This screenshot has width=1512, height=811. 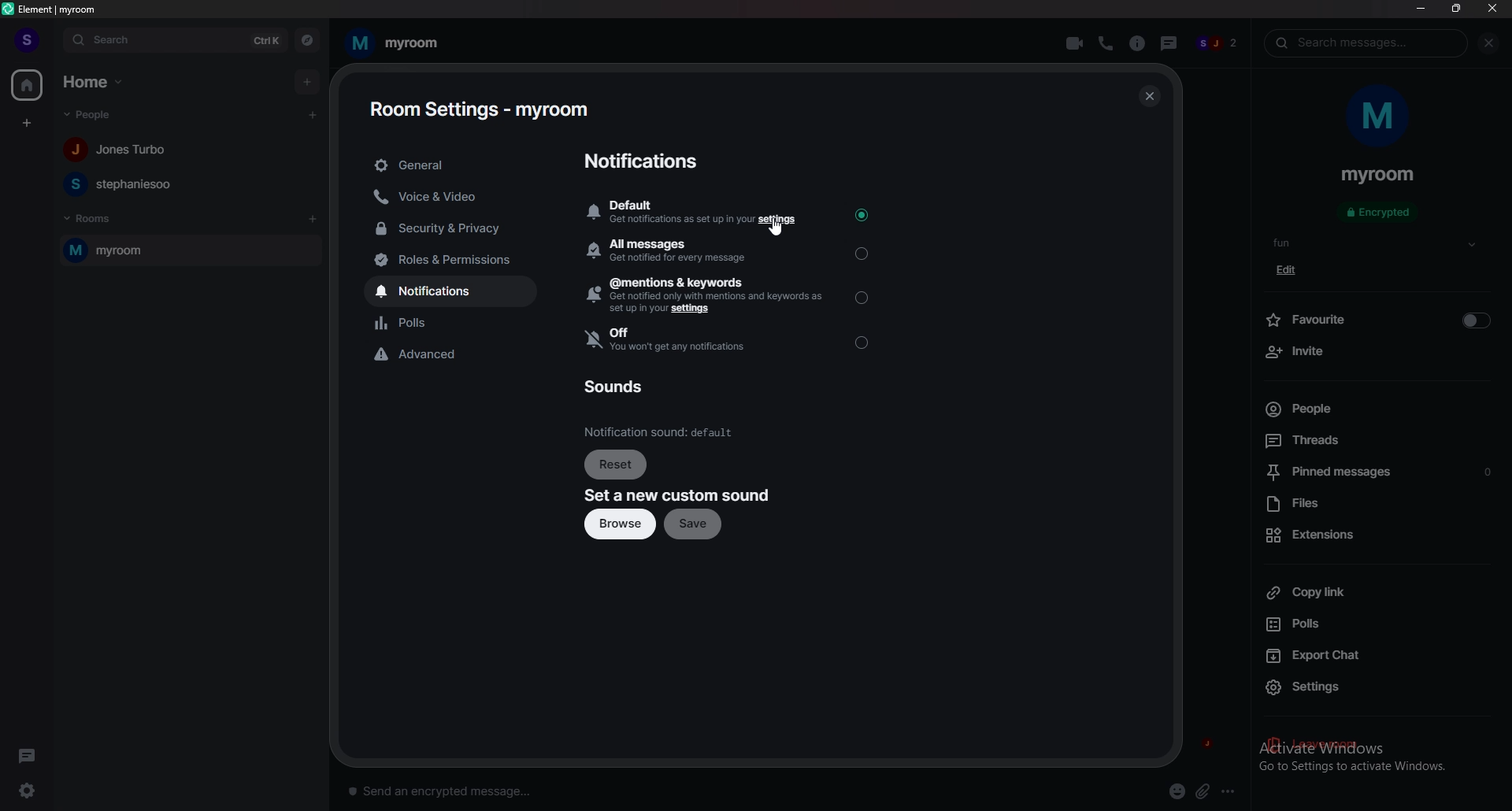 I want to click on notifications, so click(x=647, y=162).